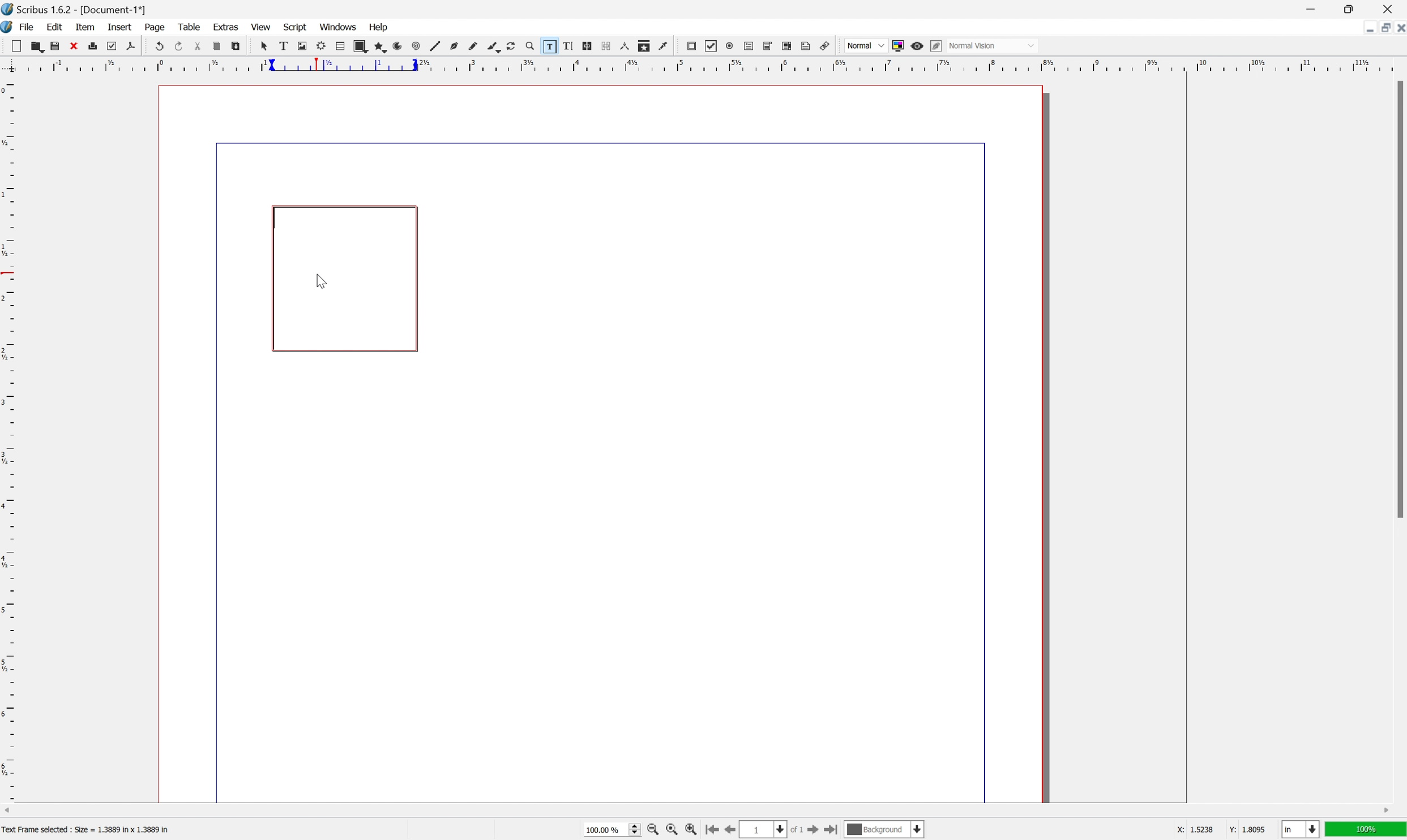  What do you see at coordinates (189, 27) in the screenshot?
I see `table` at bounding box center [189, 27].